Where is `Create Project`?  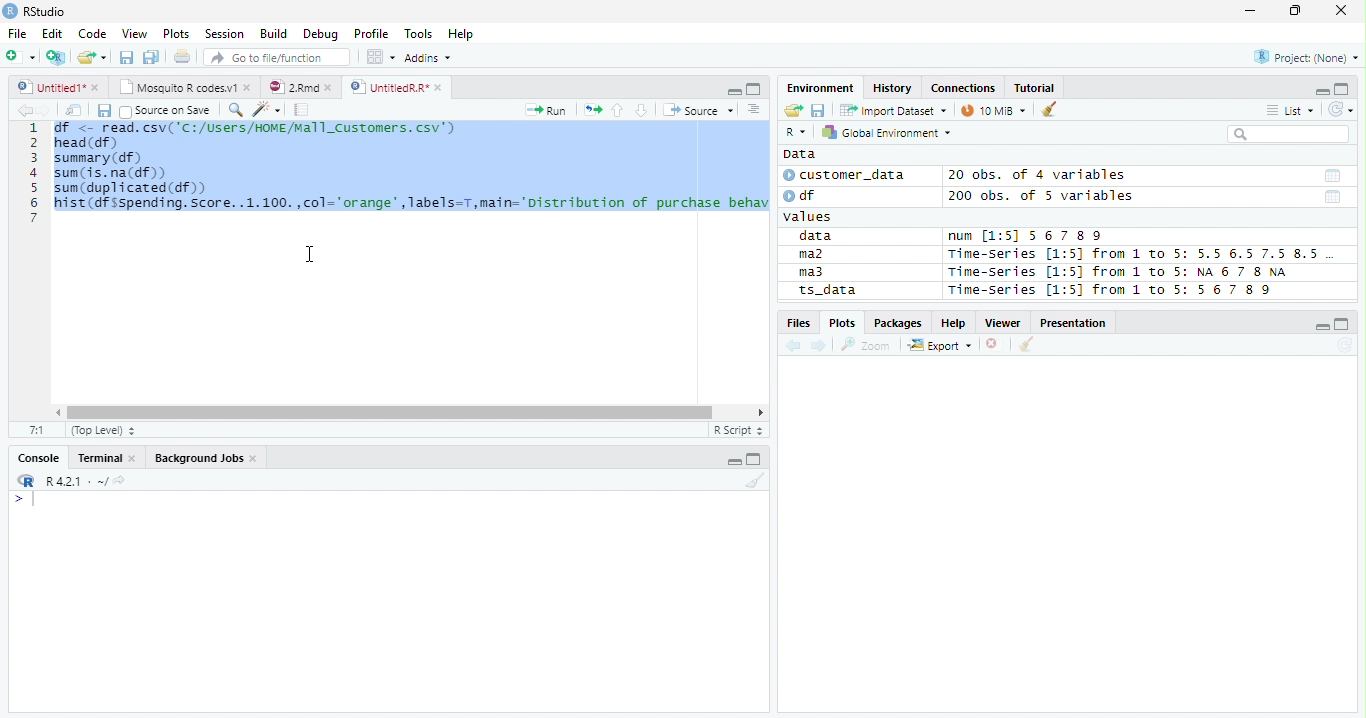
Create Project is located at coordinates (57, 57).